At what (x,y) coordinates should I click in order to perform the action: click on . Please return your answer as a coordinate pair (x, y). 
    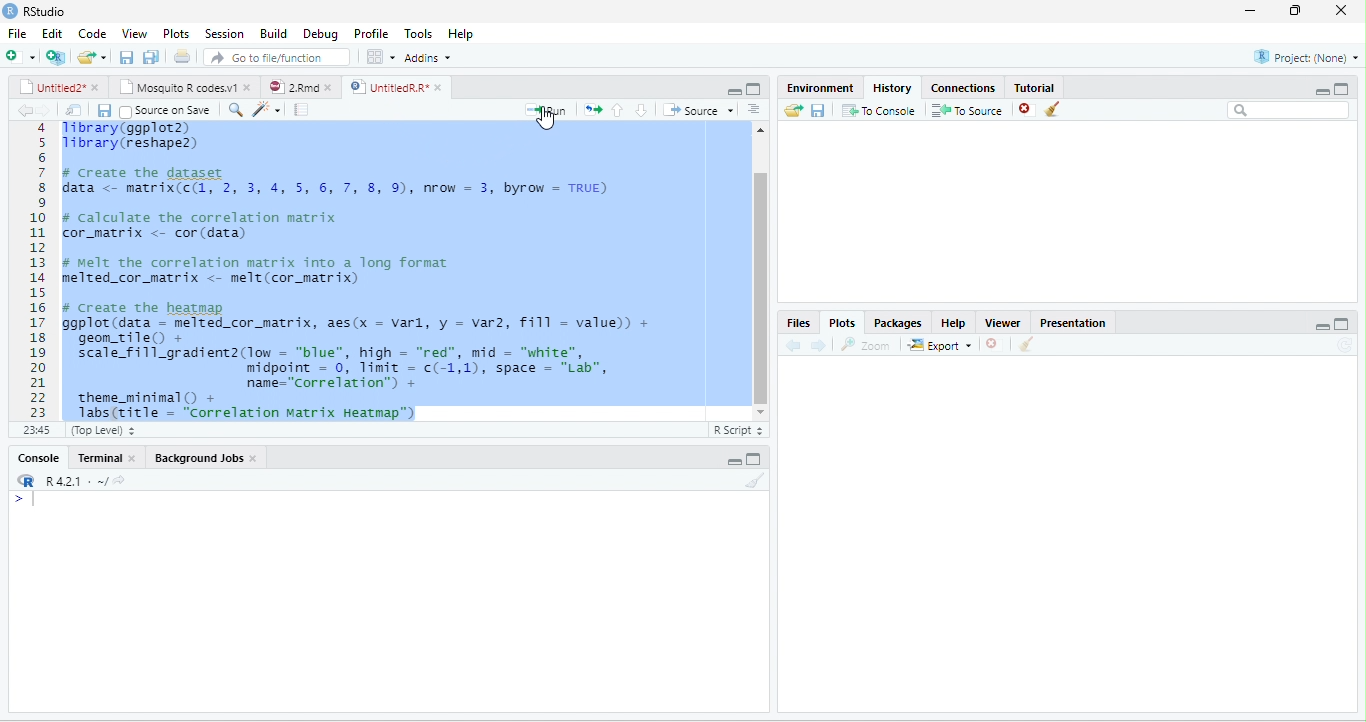
    Looking at the image, I should click on (762, 109).